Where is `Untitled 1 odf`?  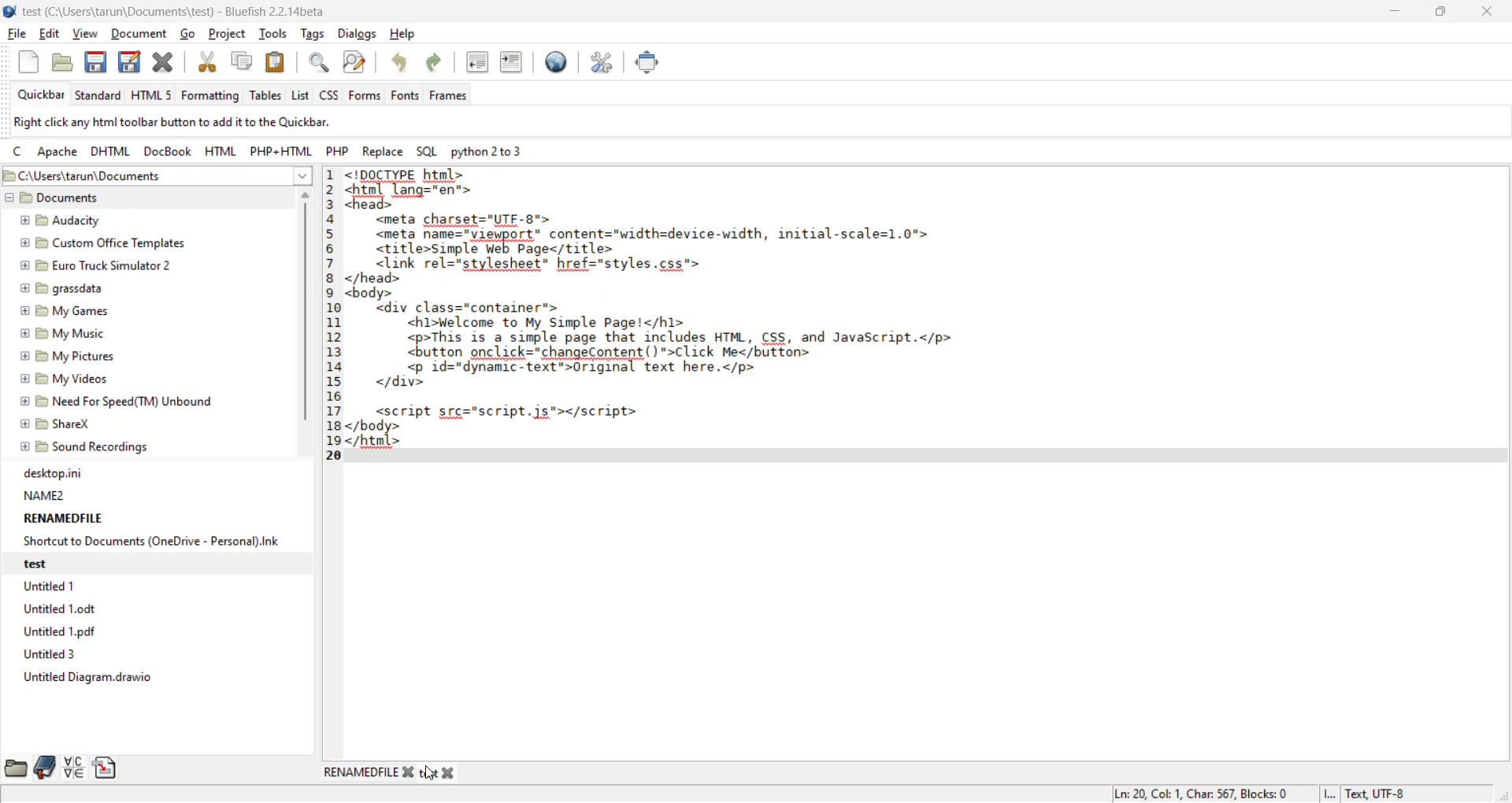 Untitled 1 odf is located at coordinates (65, 628).